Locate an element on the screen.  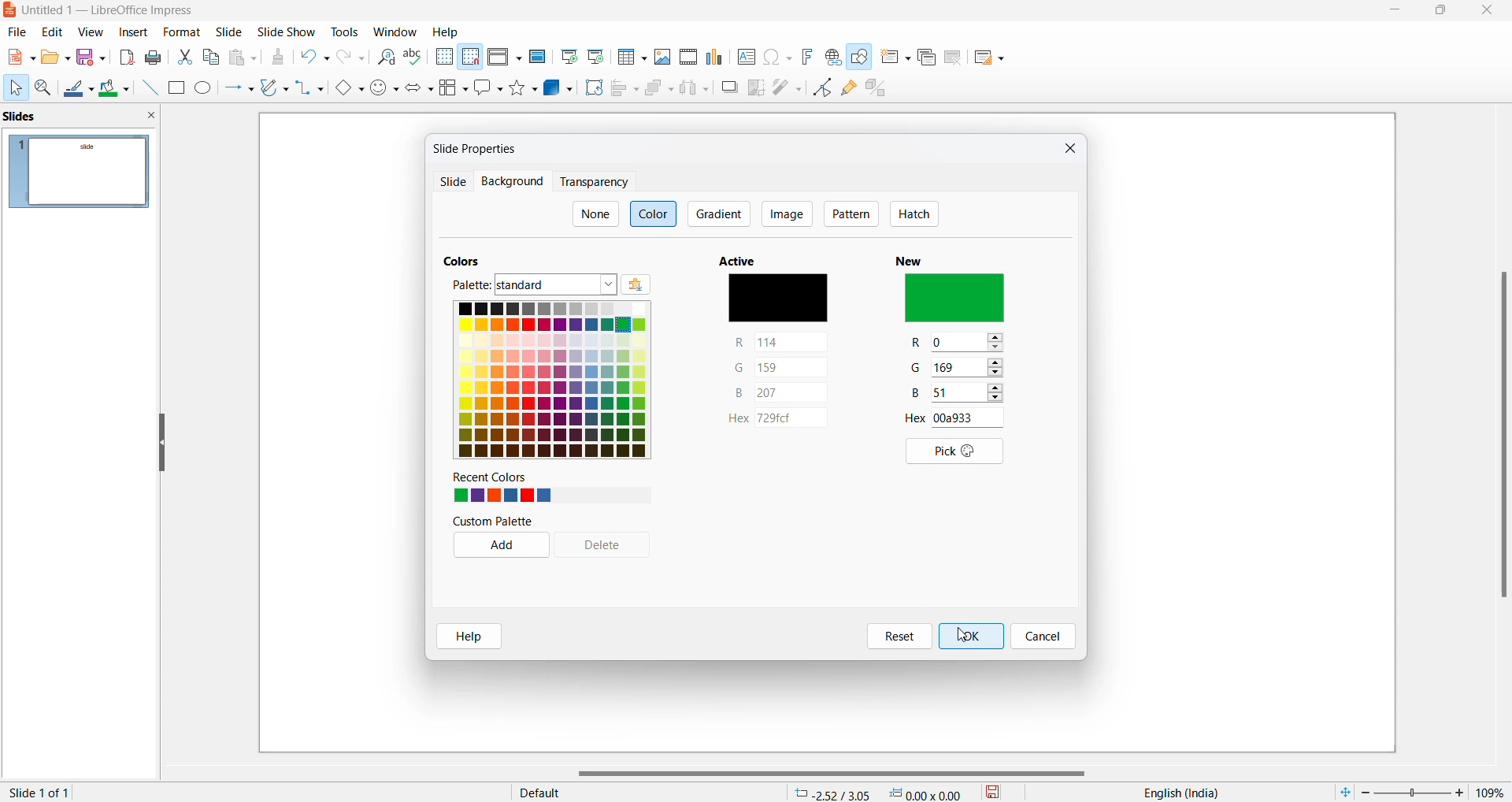
Hex value is located at coordinates (962, 418).